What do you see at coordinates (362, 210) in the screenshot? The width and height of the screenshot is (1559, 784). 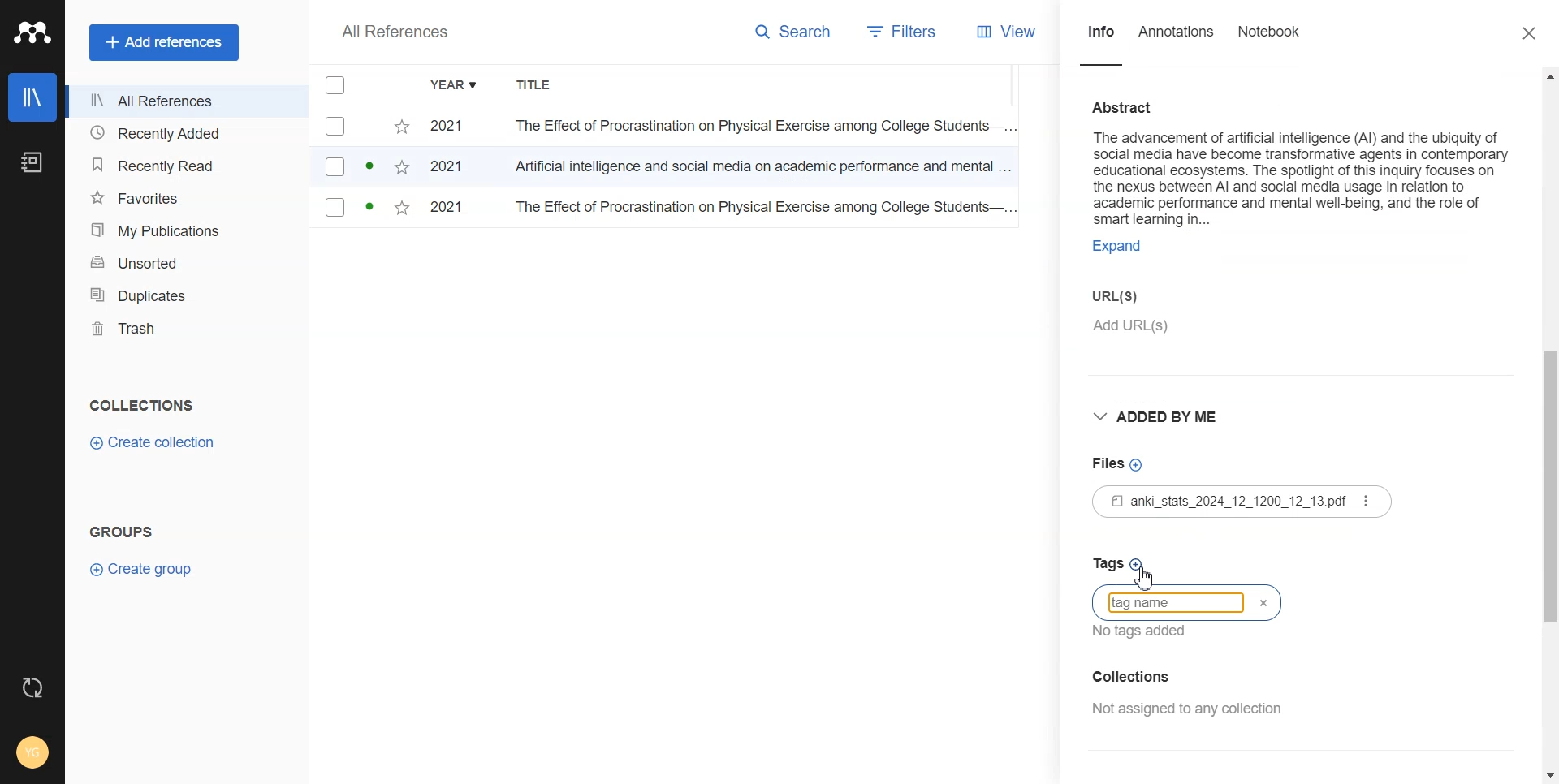 I see `checkbox` at bounding box center [362, 210].